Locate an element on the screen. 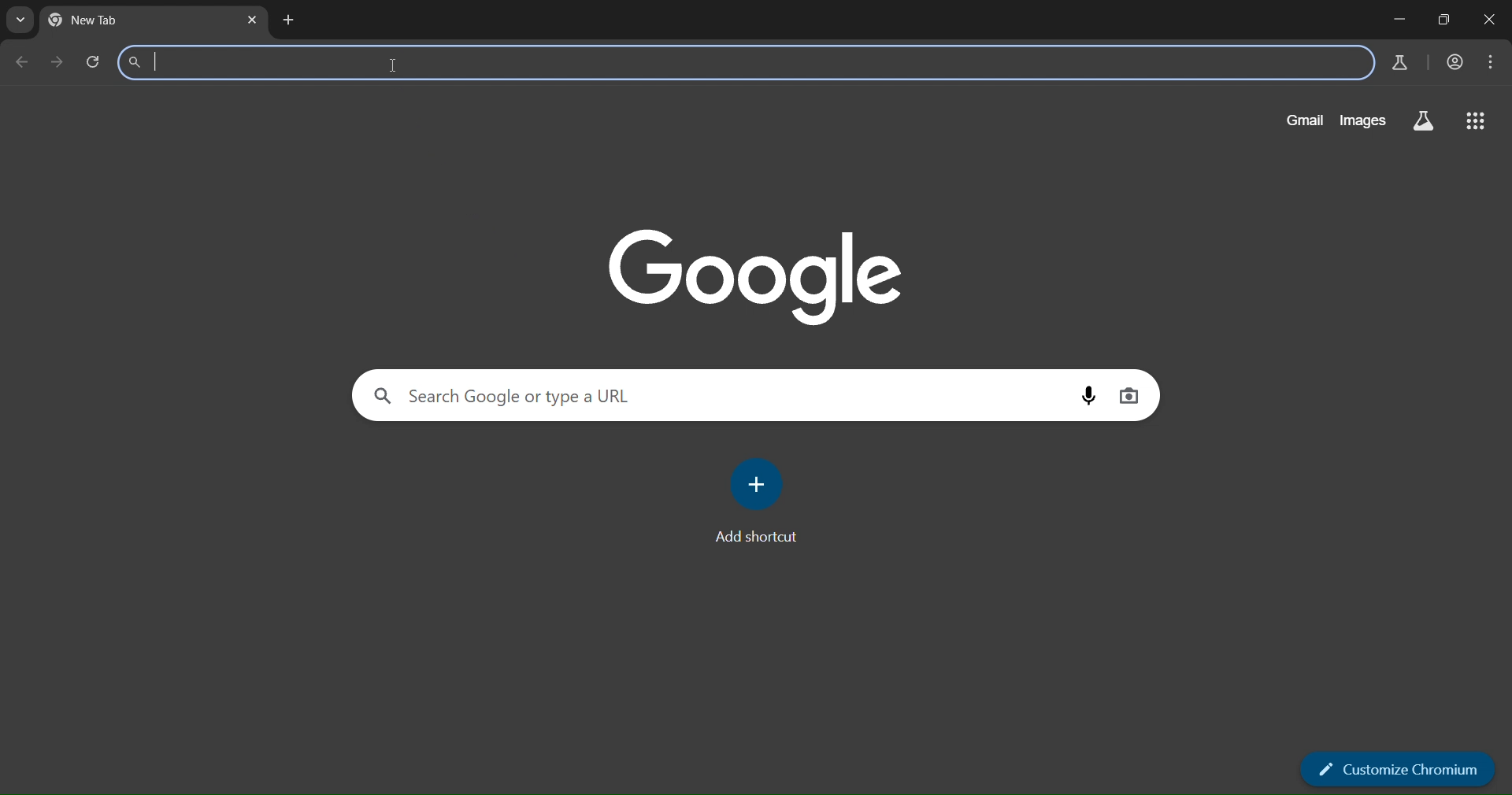 The image size is (1512, 795). close tab is located at coordinates (254, 20).